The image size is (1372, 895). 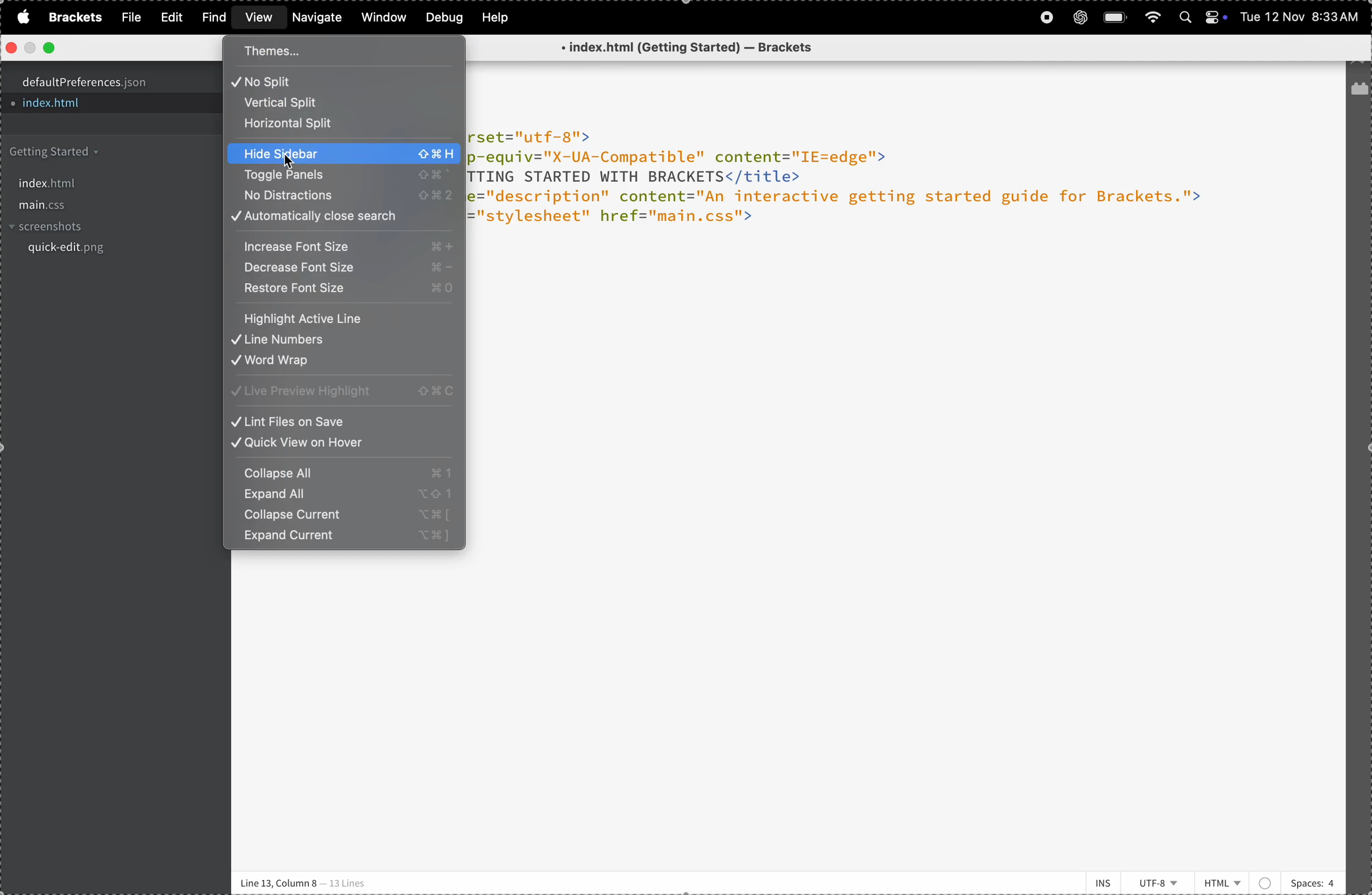 What do you see at coordinates (310, 103) in the screenshot?
I see `vertical split` at bounding box center [310, 103].